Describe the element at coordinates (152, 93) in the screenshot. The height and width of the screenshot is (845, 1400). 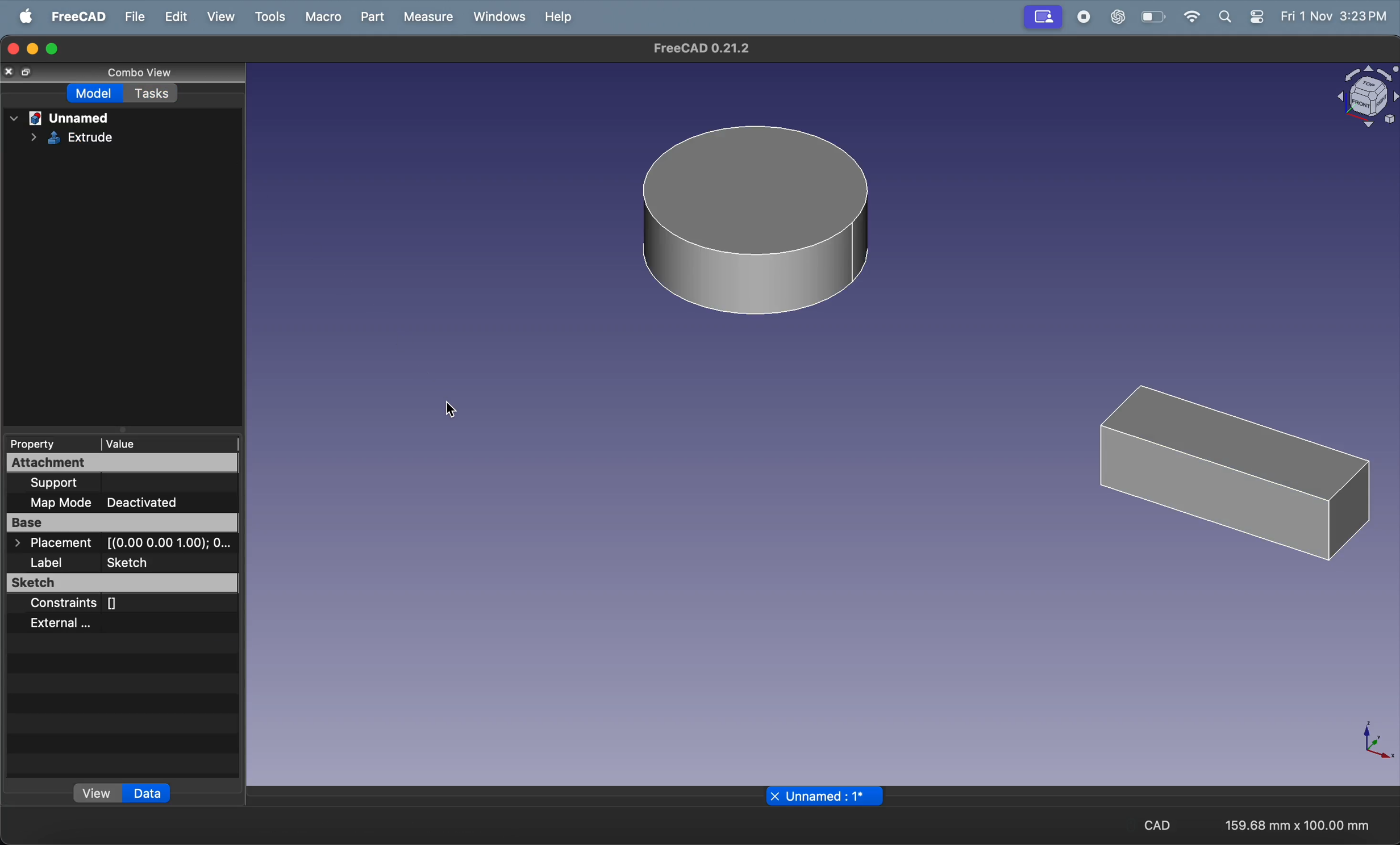
I see `Tasks` at that location.